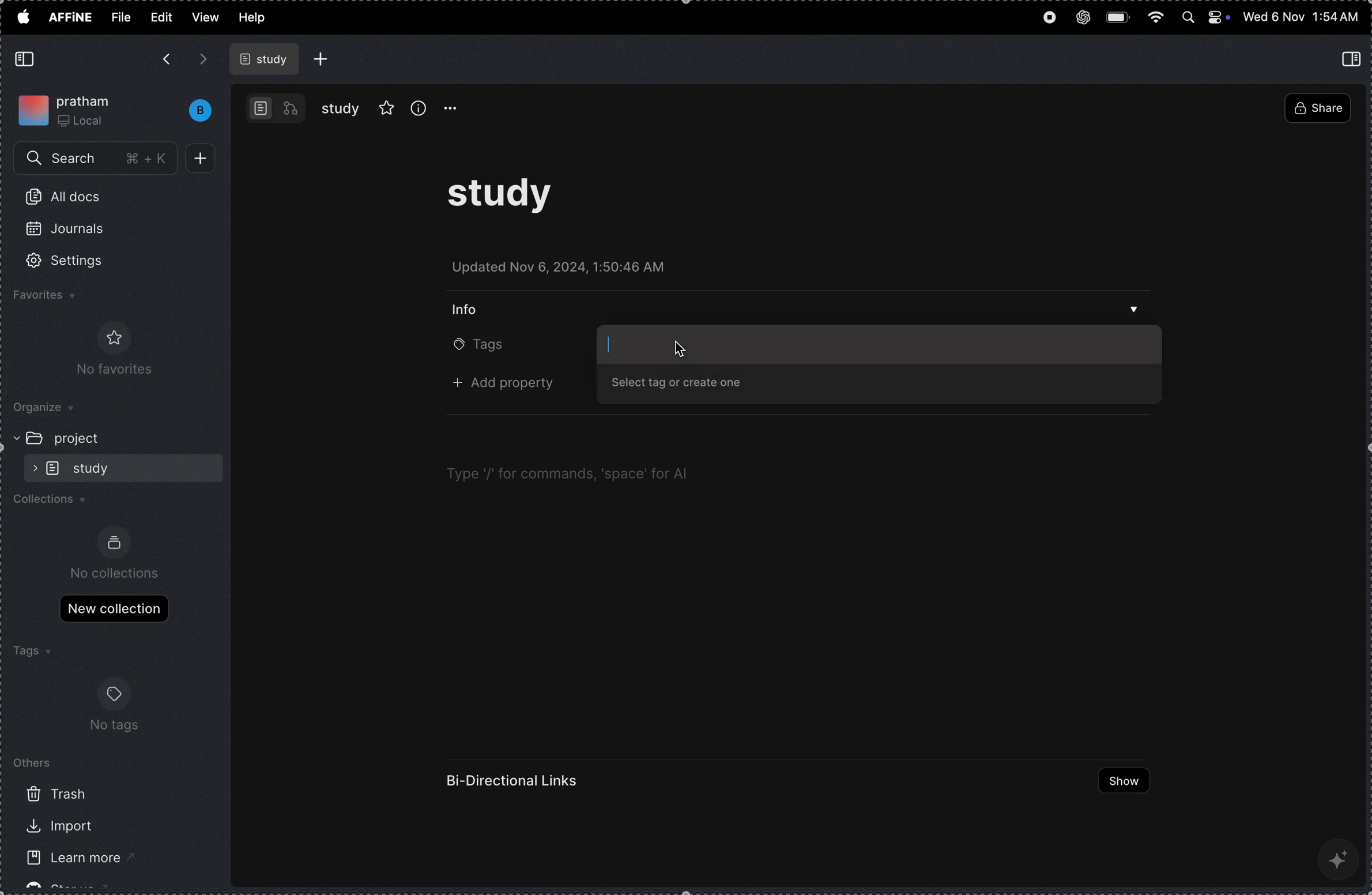 The image size is (1372, 895). I want to click on share, so click(1317, 110).